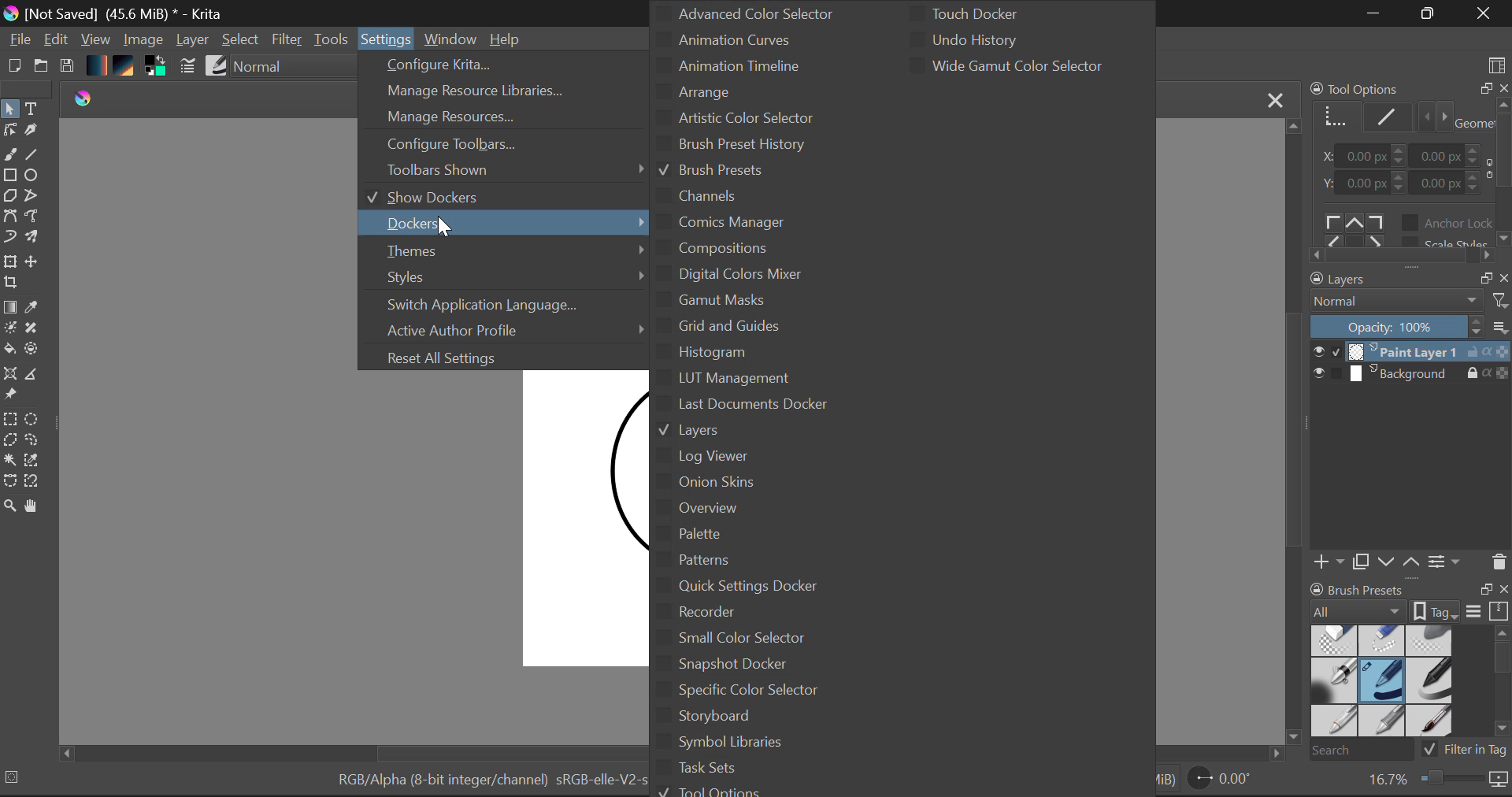  Describe the element at coordinates (1410, 601) in the screenshot. I see `Brush Presets Docket Tab` at that location.